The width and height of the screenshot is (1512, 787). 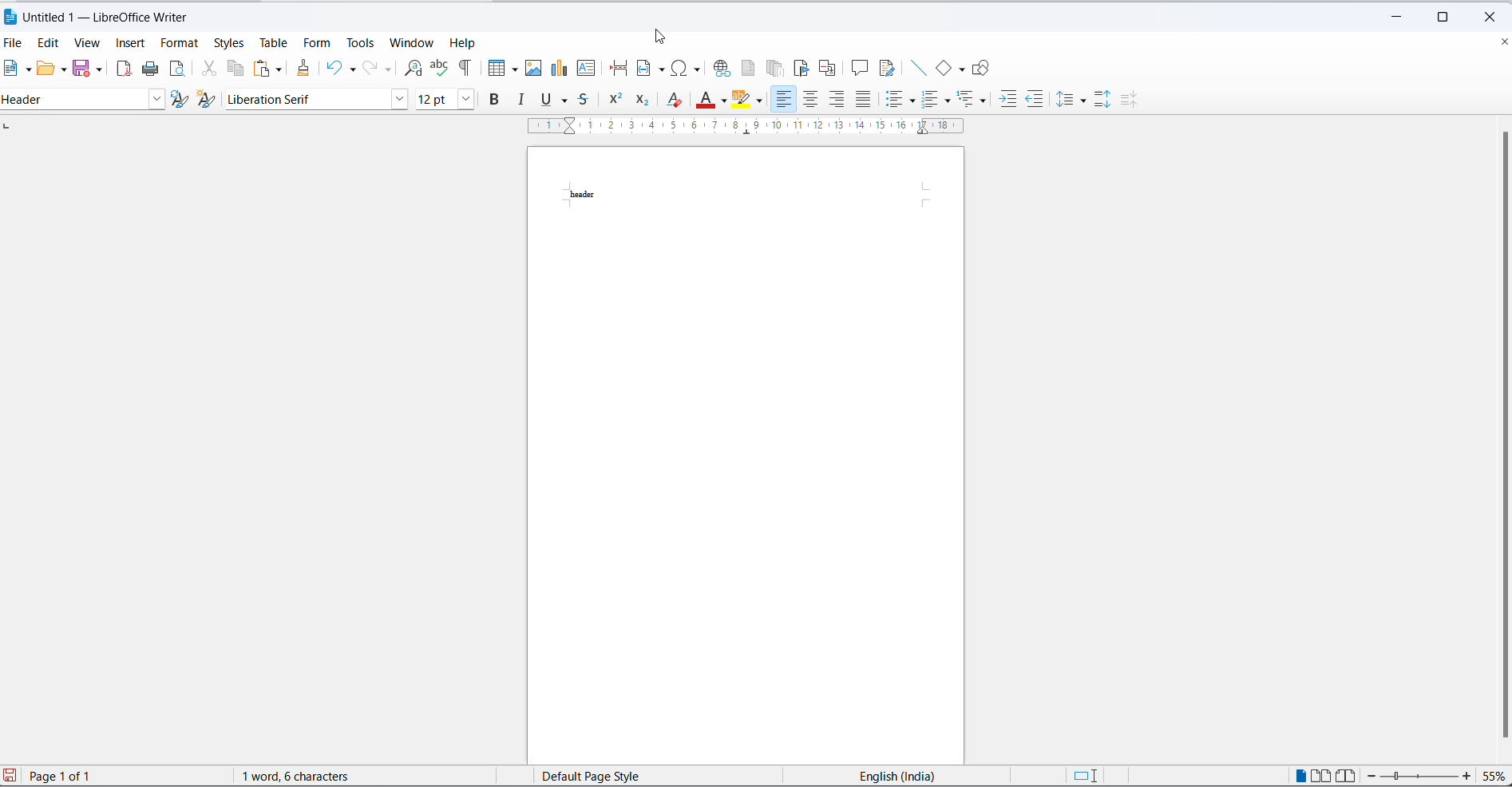 I want to click on redo options, so click(x=389, y=69).